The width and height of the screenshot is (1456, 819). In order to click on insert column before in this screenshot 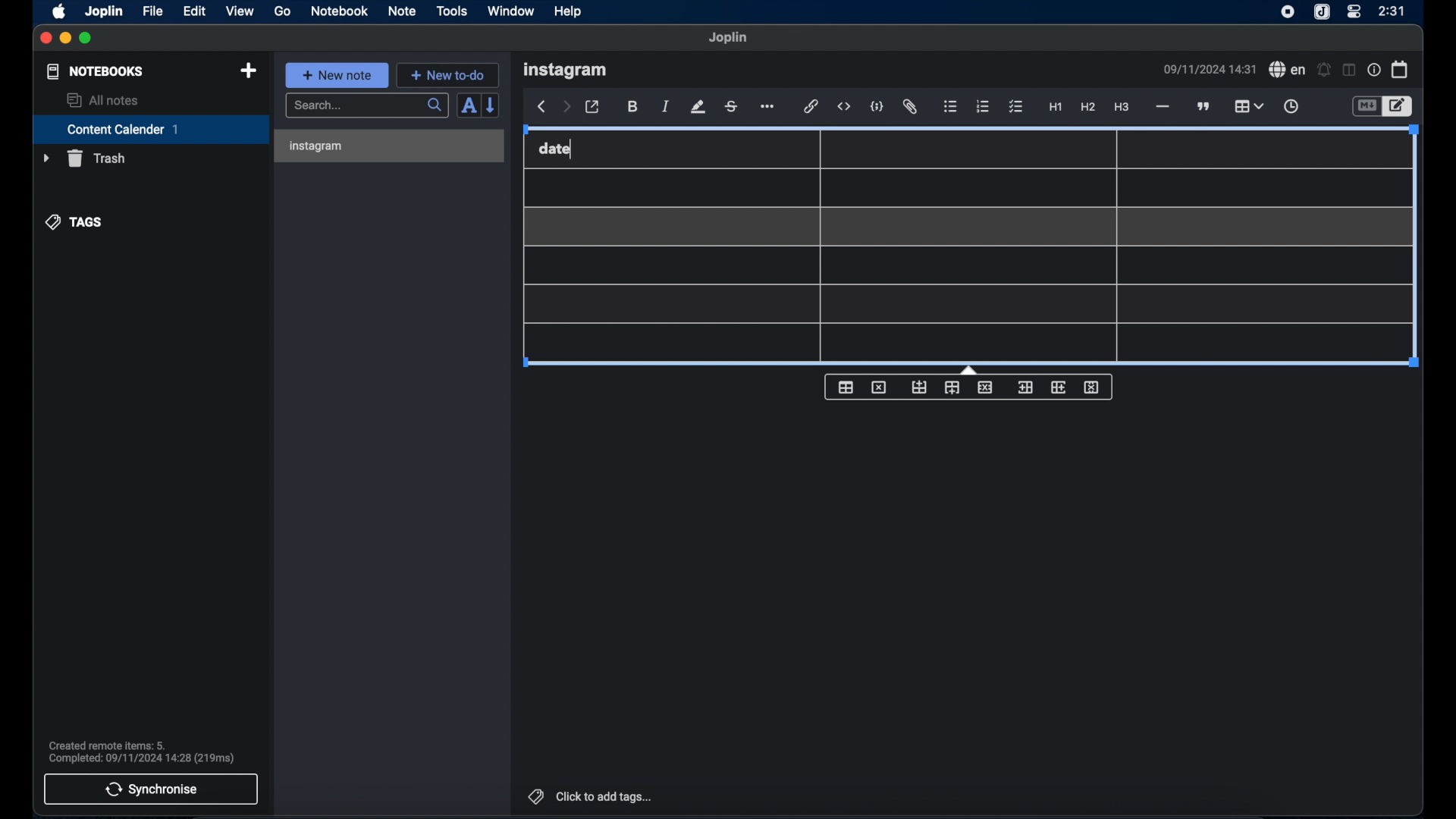, I will do `click(1025, 388)`.